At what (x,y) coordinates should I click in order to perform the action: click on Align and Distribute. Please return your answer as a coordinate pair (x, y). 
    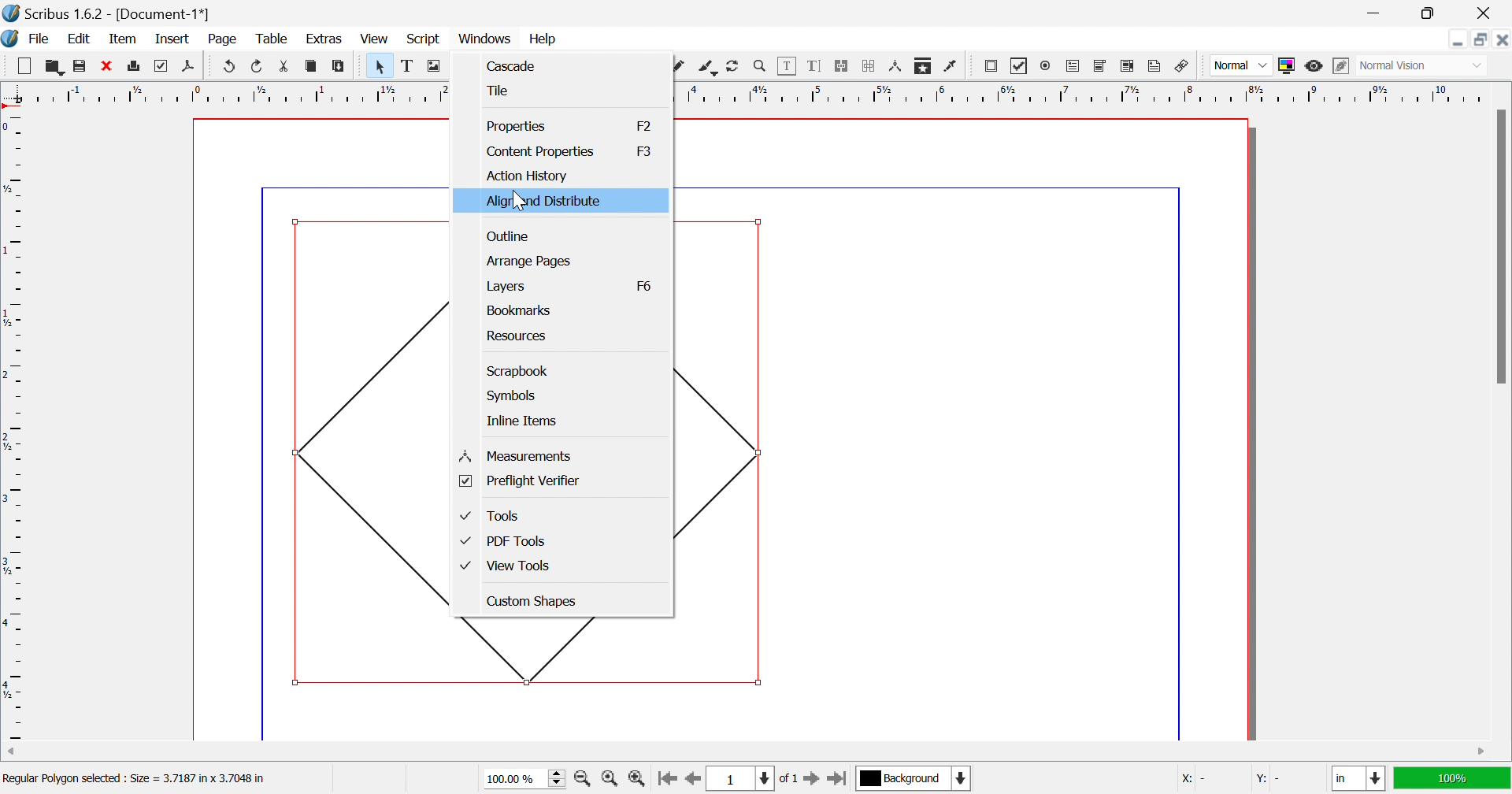
    Looking at the image, I should click on (543, 202).